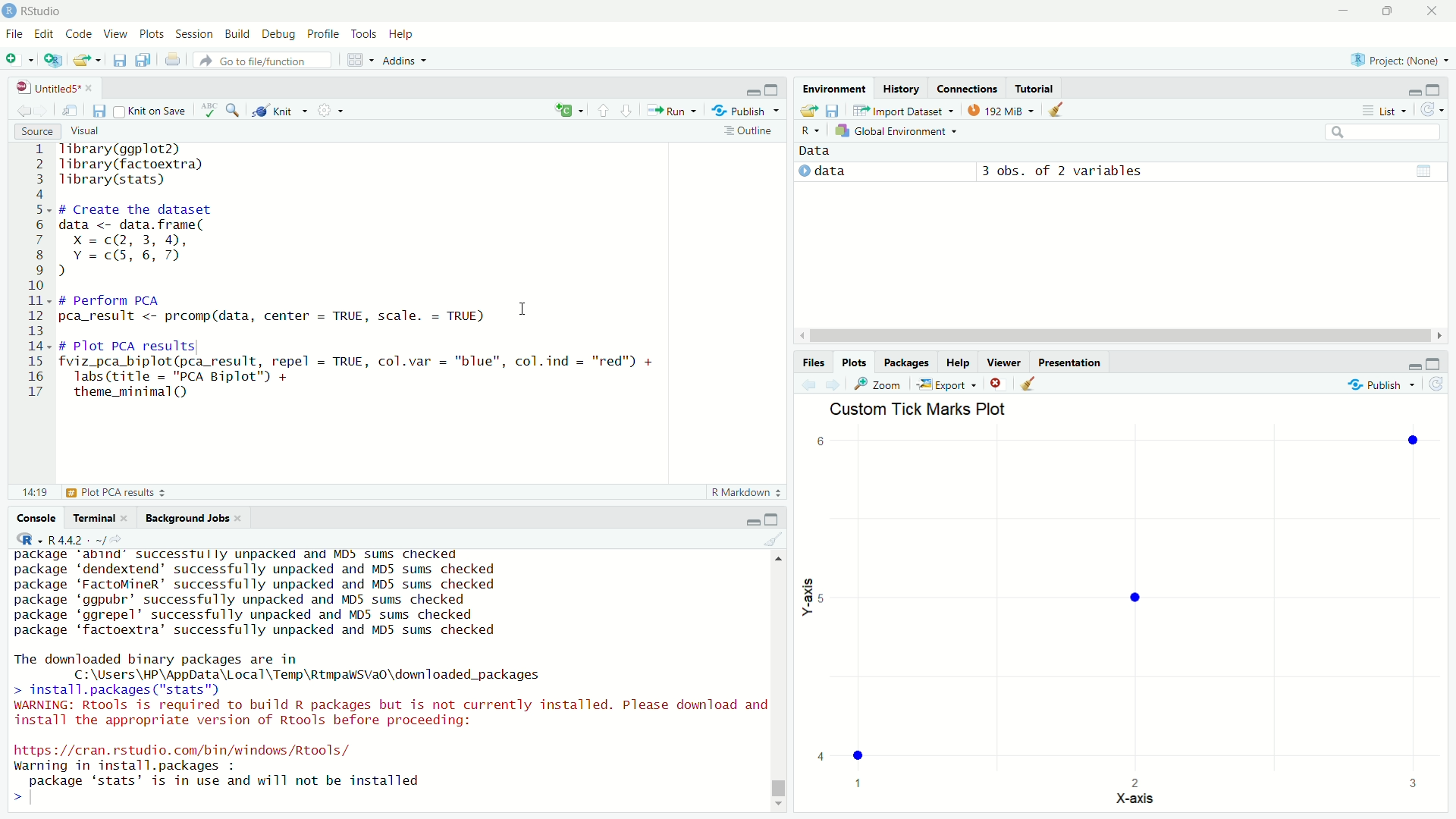 The width and height of the screenshot is (1456, 819). I want to click on tutorial, so click(1034, 88).